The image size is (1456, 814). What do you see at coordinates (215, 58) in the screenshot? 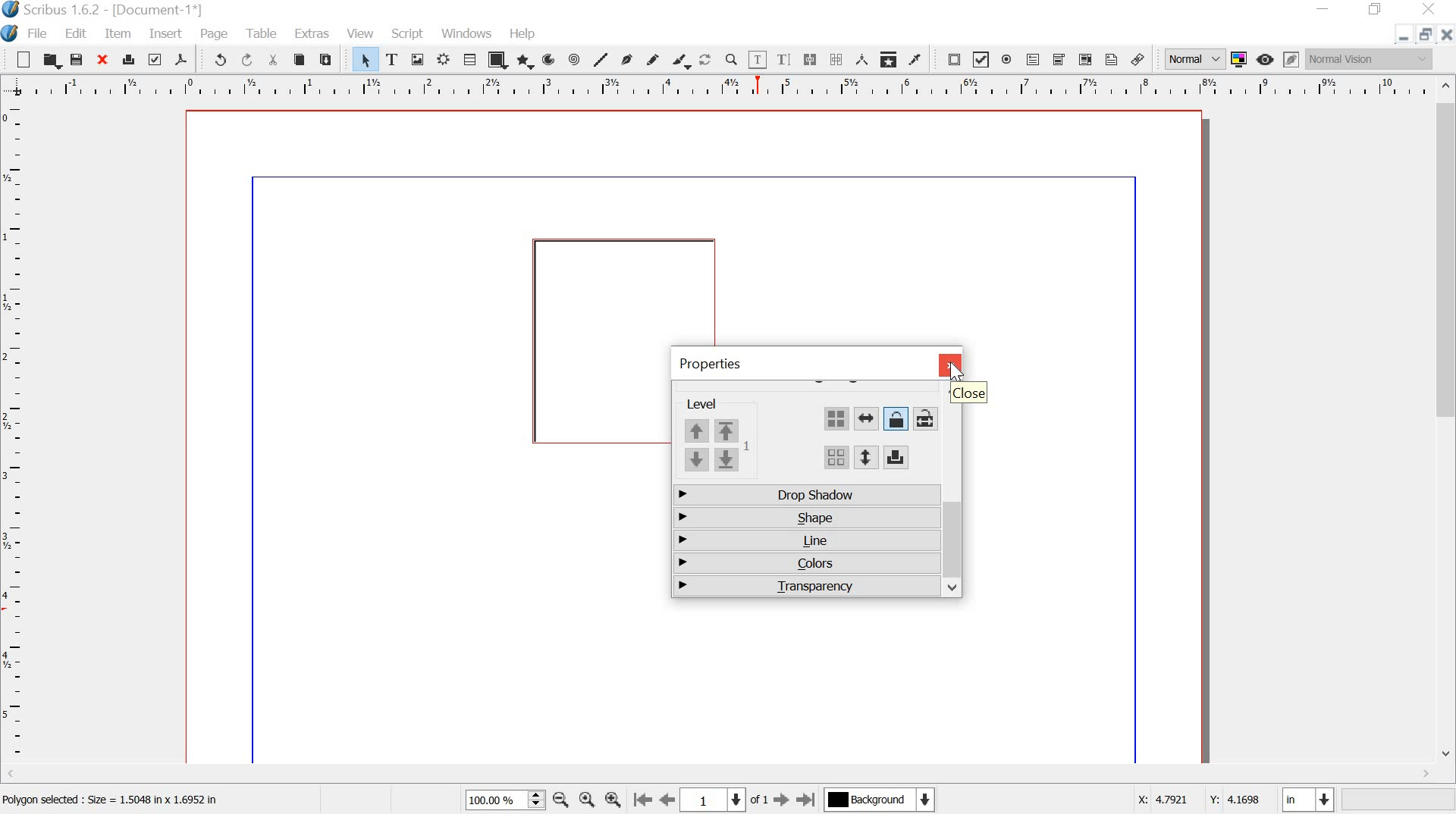
I see `undo` at bounding box center [215, 58].